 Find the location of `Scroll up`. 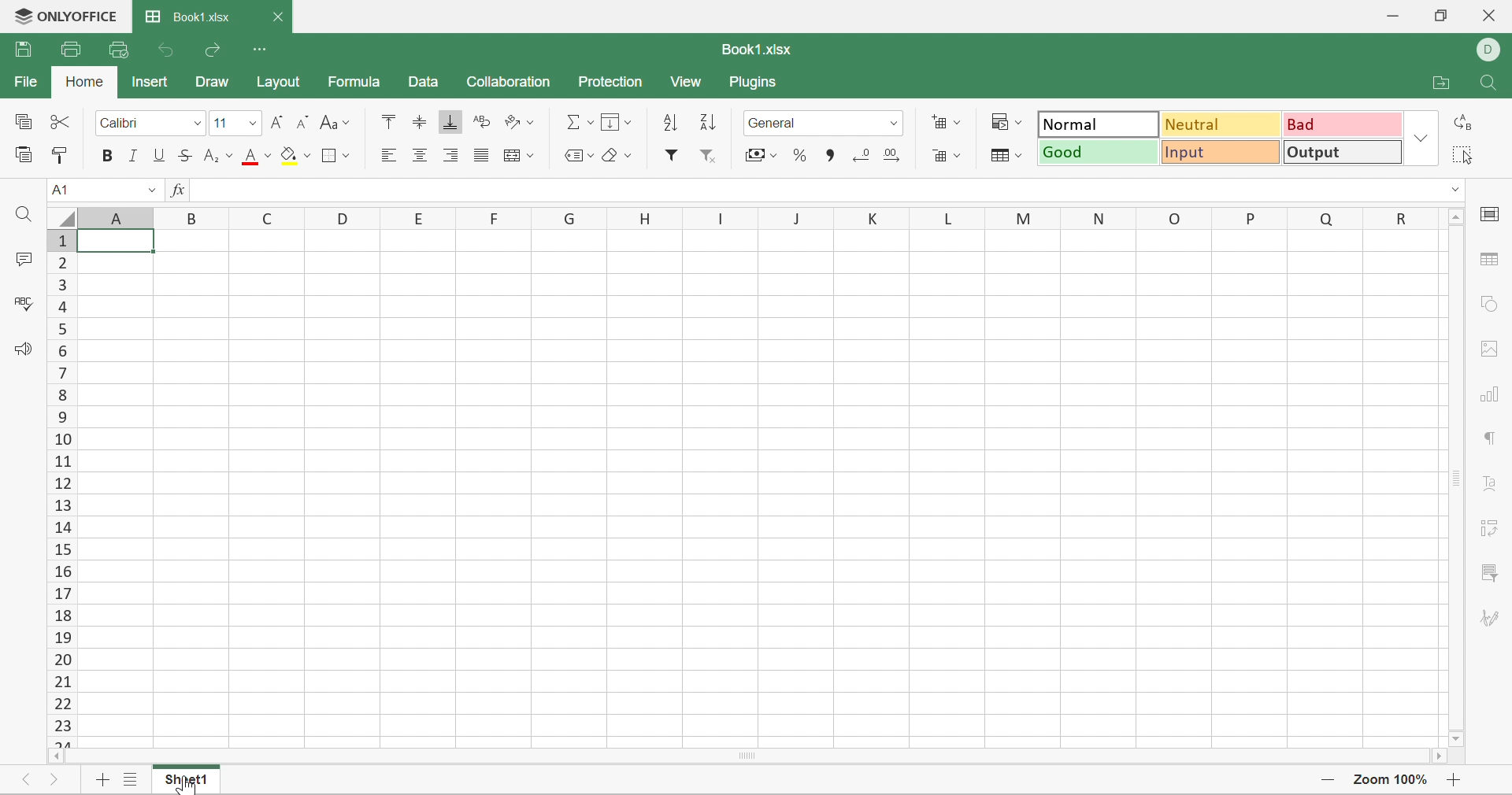

Scroll up is located at coordinates (1456, 216).